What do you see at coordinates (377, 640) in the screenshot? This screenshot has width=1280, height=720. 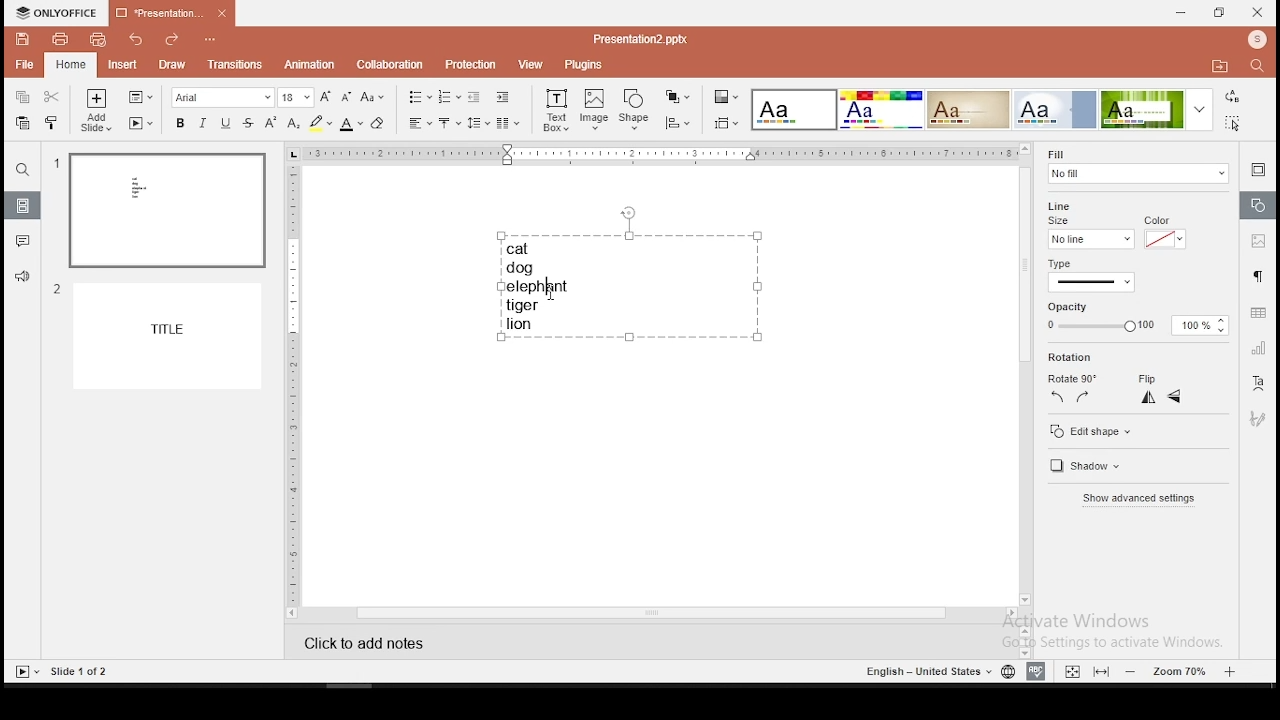 I see `click to add notes` at bounding box center [377, 640].